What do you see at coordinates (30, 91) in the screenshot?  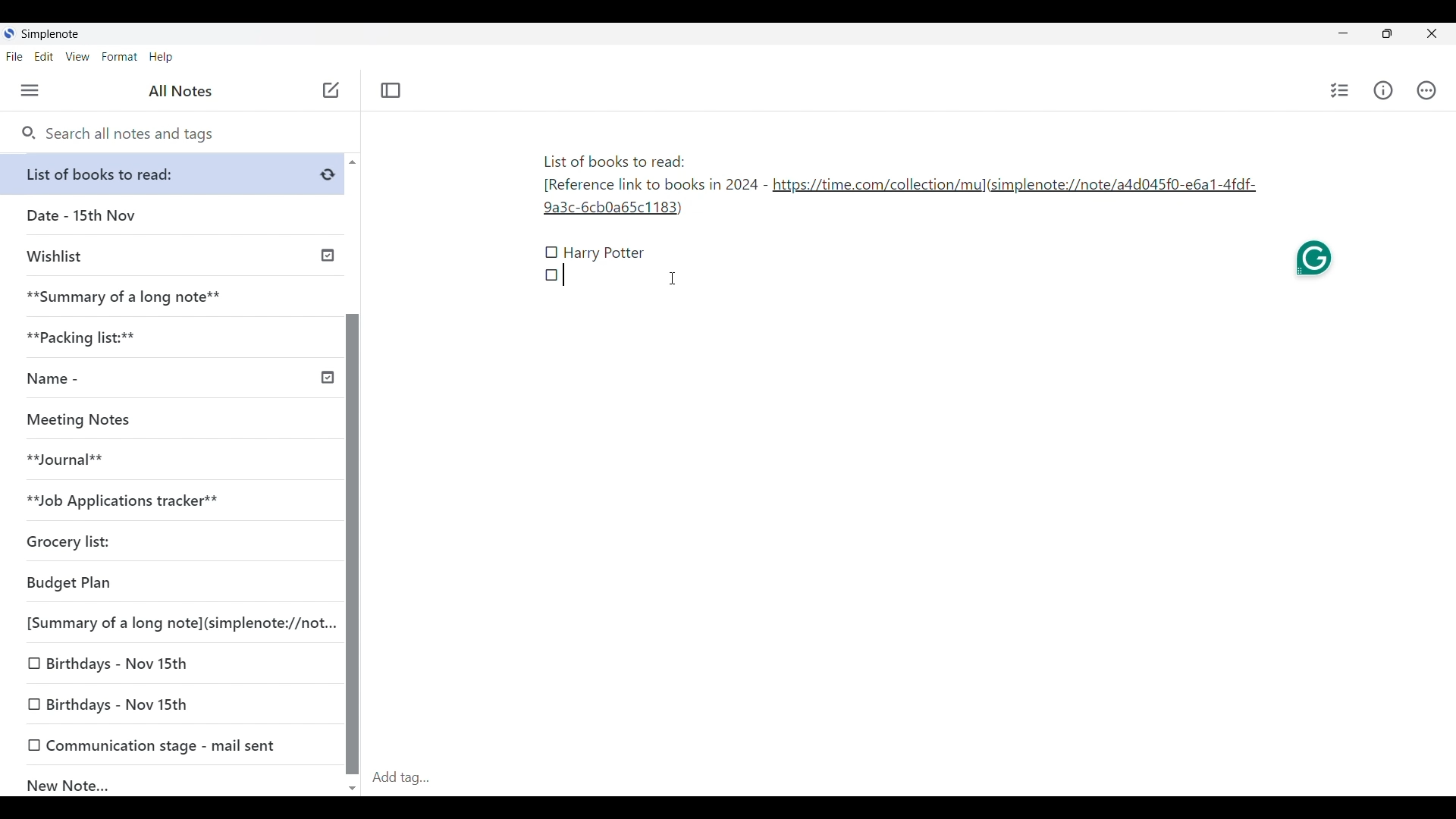 I see `Menu` at bounding box center [30, 91].